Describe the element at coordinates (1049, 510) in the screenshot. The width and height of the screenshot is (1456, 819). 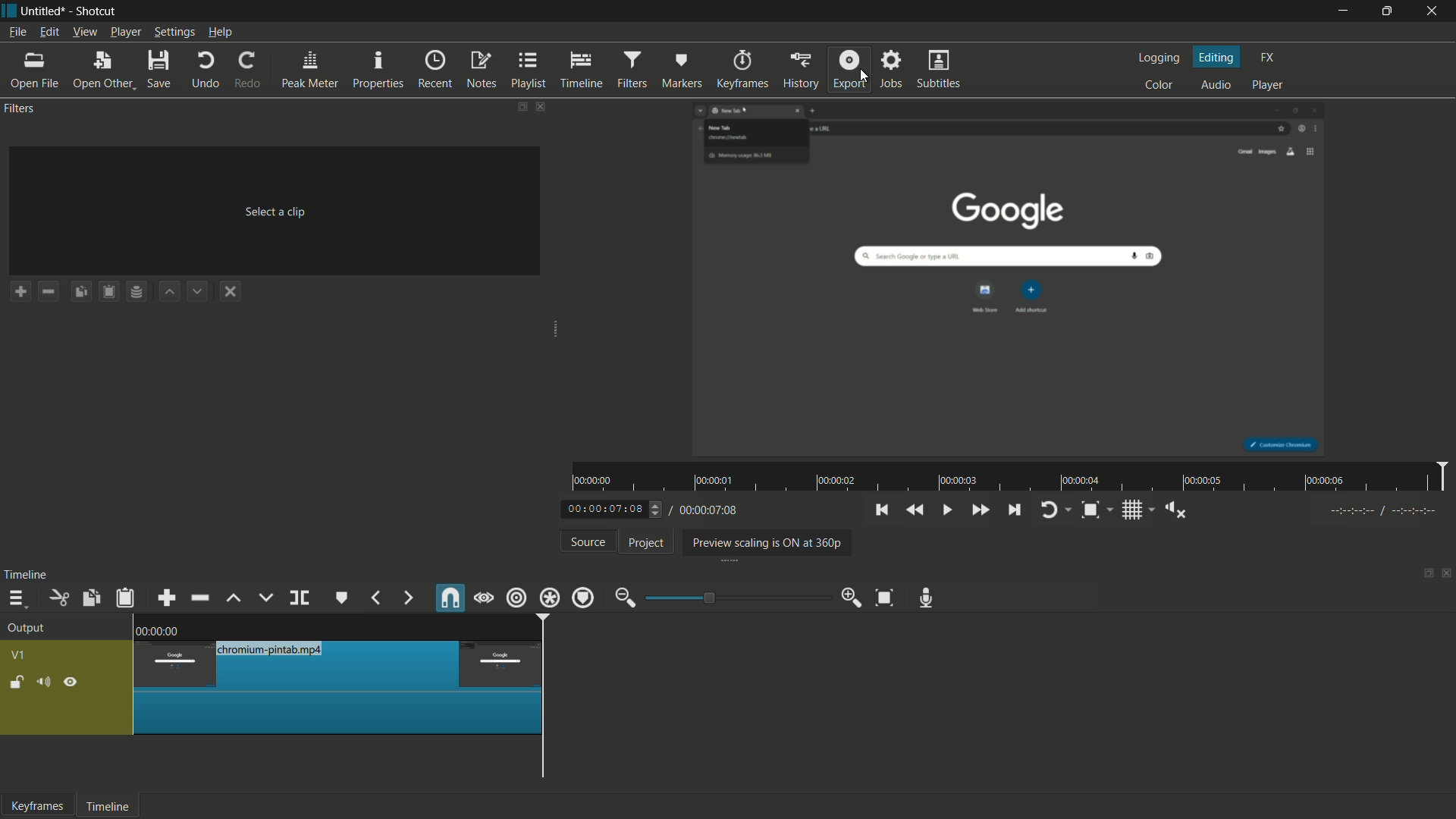
I see `toggle player looping` at that location.